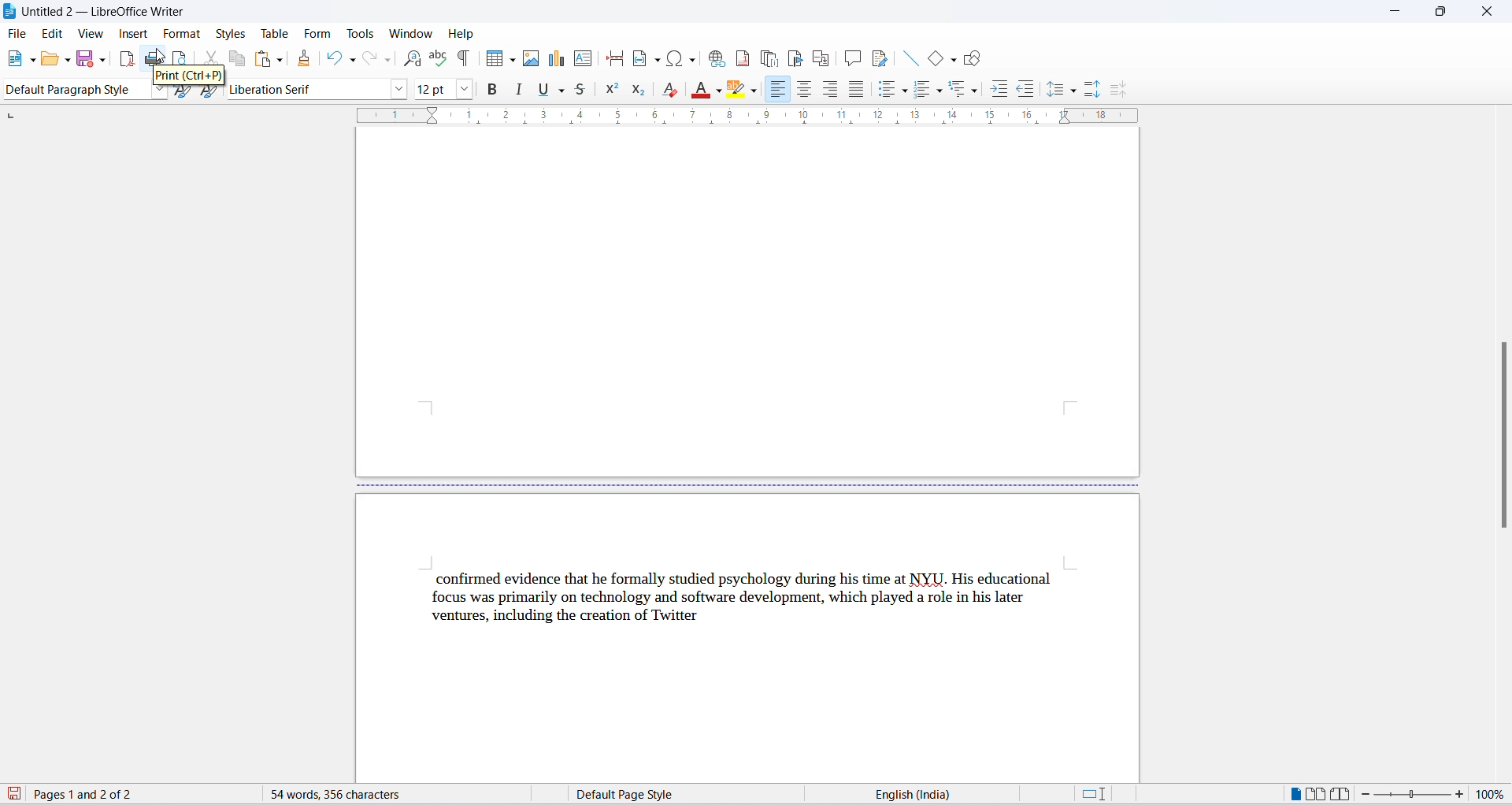  Describe the element at coordinates (646, 58) in the screenshot. I see `insert filed` at that location.